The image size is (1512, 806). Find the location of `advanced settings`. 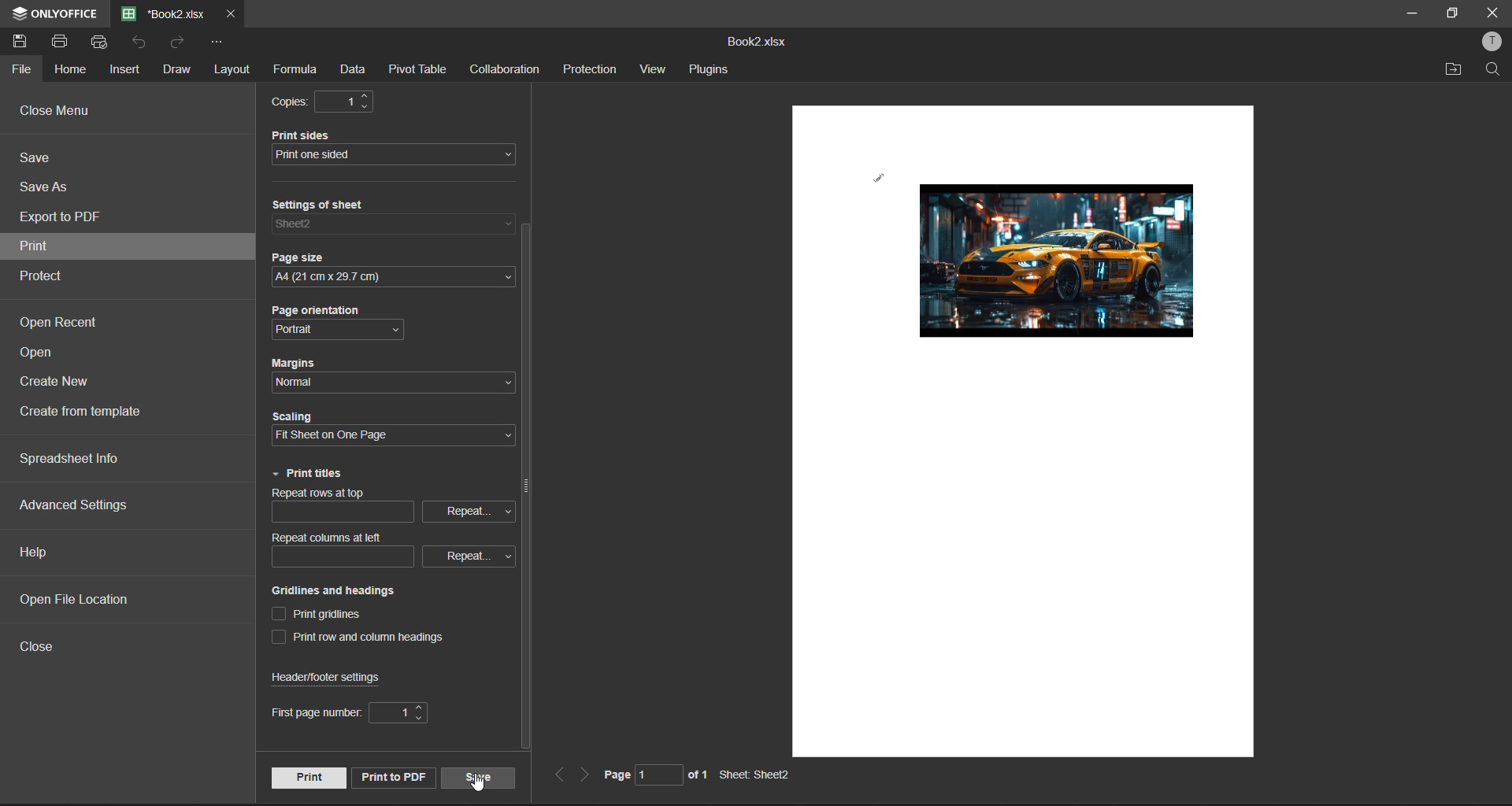

advanced settings is located at coordinates (76, 505).